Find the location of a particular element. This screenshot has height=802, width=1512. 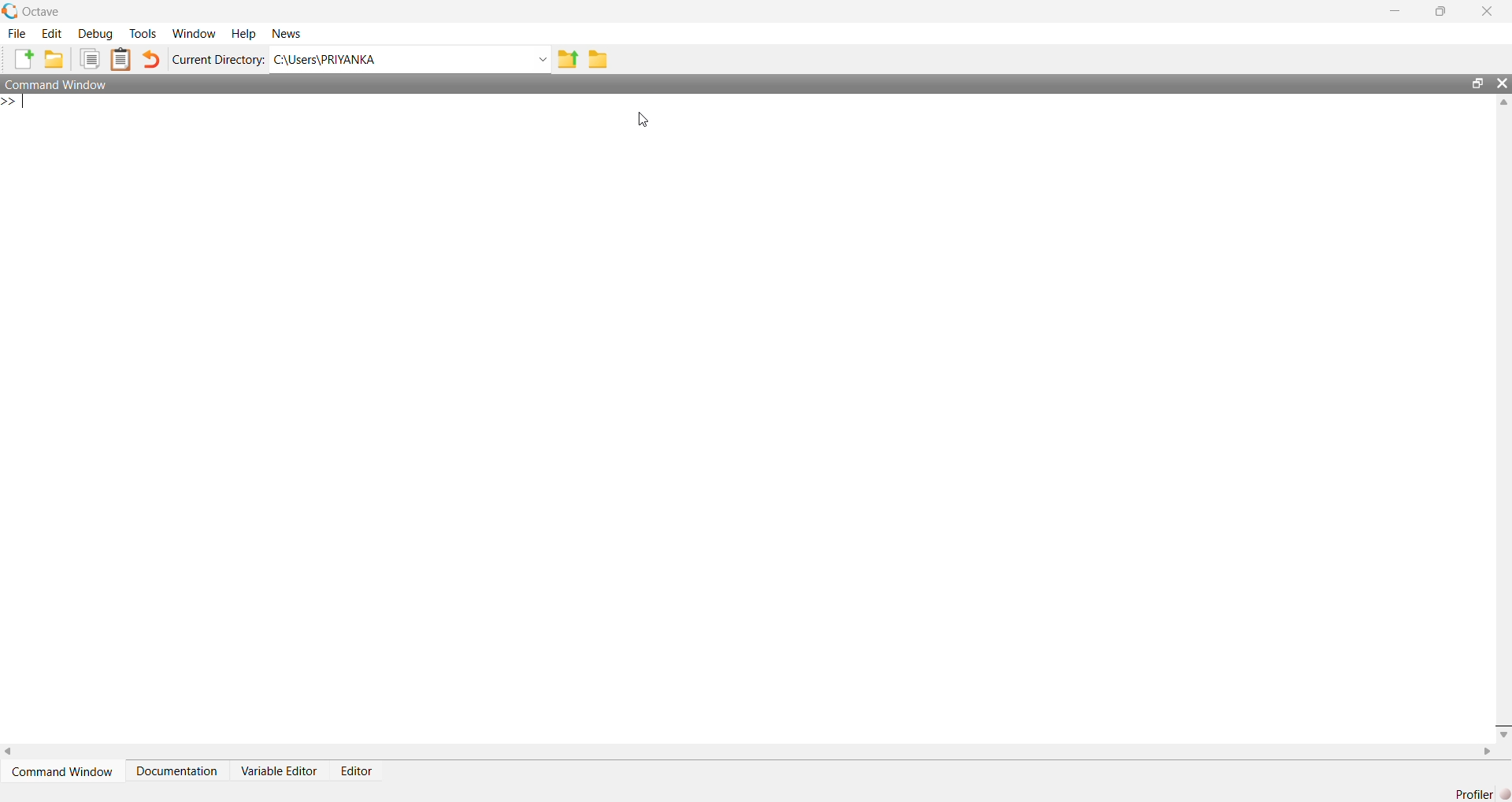

new line is located at coordinates (14, 102).